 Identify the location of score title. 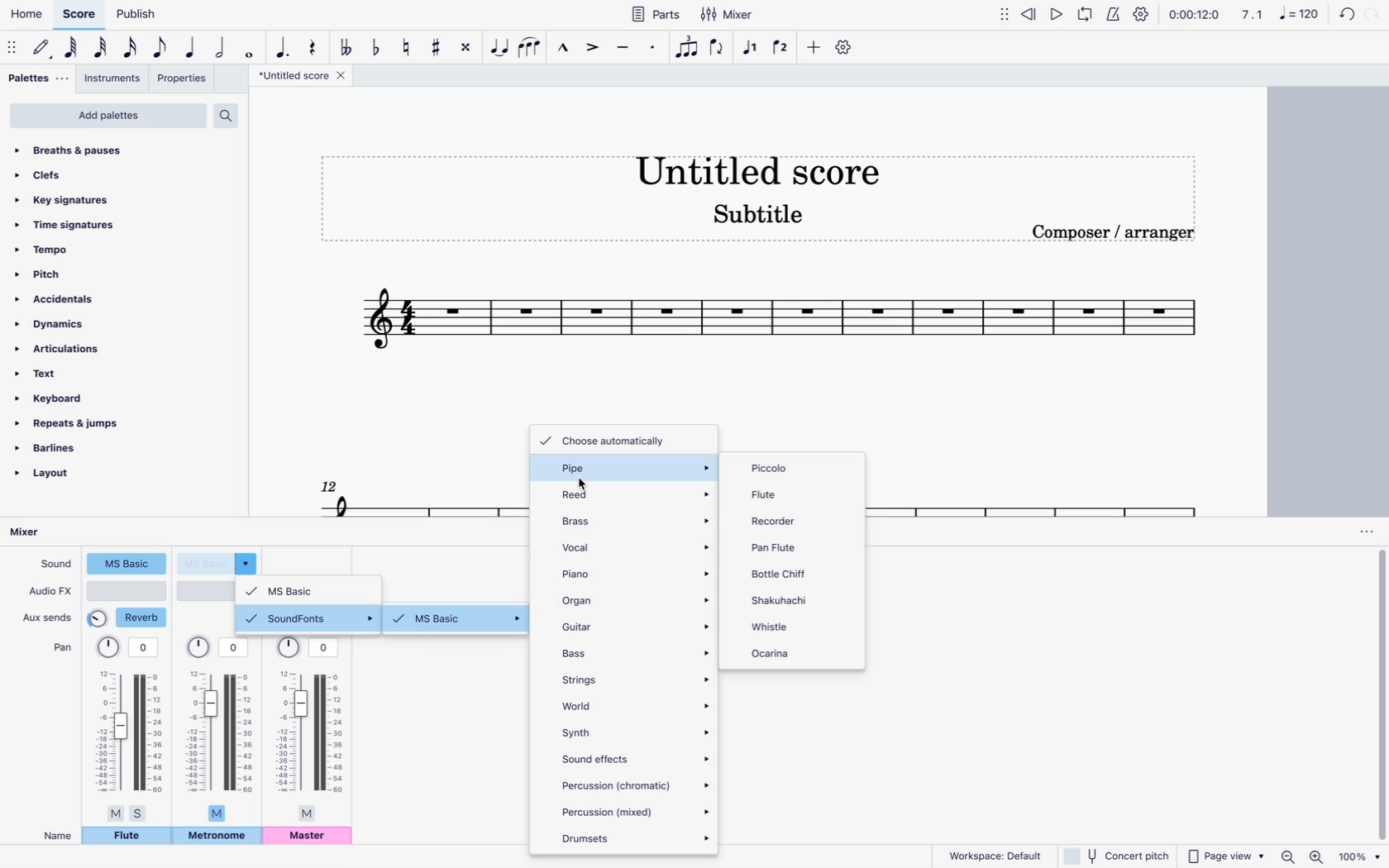
(758, 165).